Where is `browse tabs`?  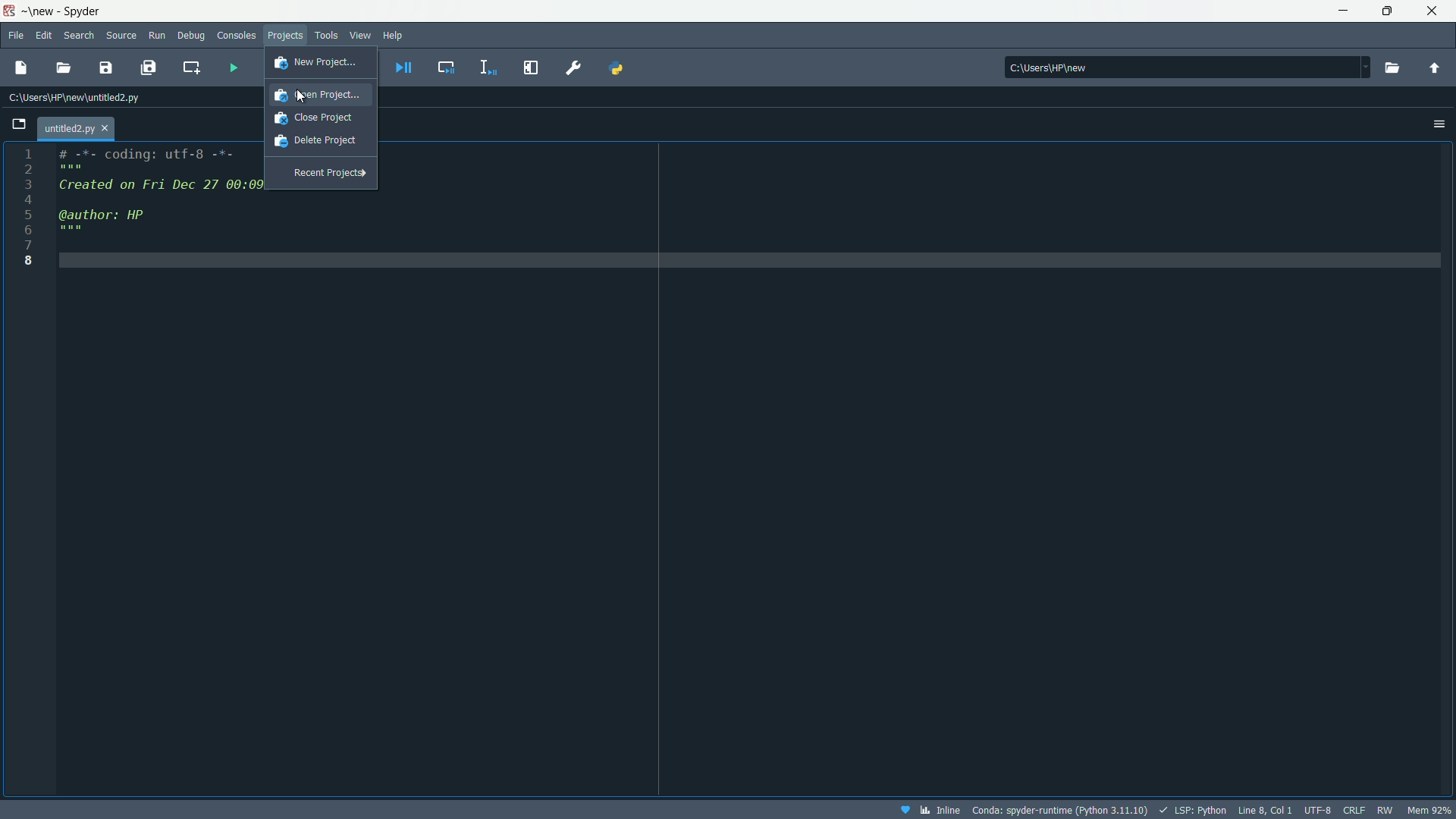
browse tabs is located at coordinates (21, 121).